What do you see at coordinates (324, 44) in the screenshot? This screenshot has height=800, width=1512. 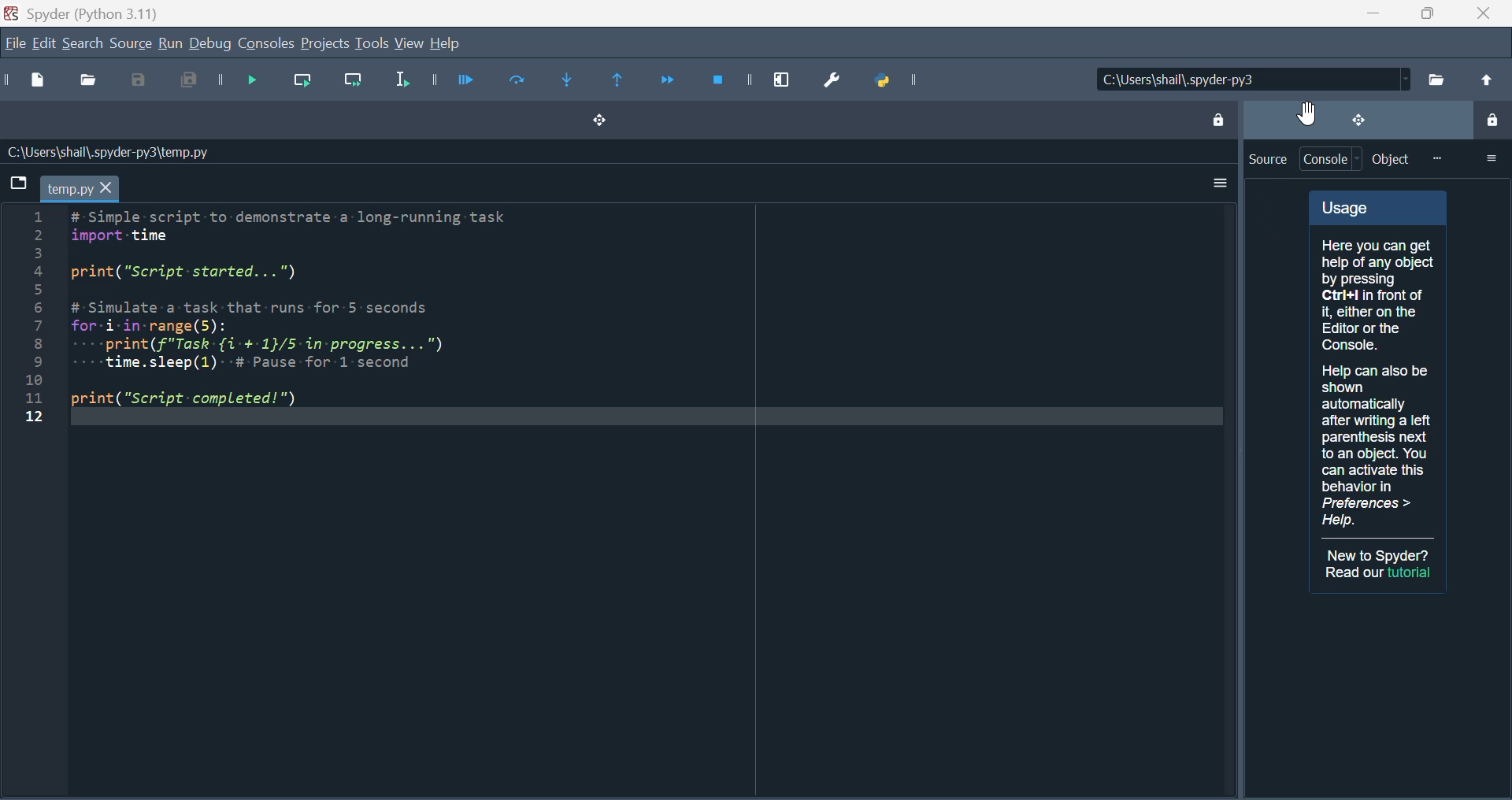 I see `Projects` at bounding box center [324, 44].